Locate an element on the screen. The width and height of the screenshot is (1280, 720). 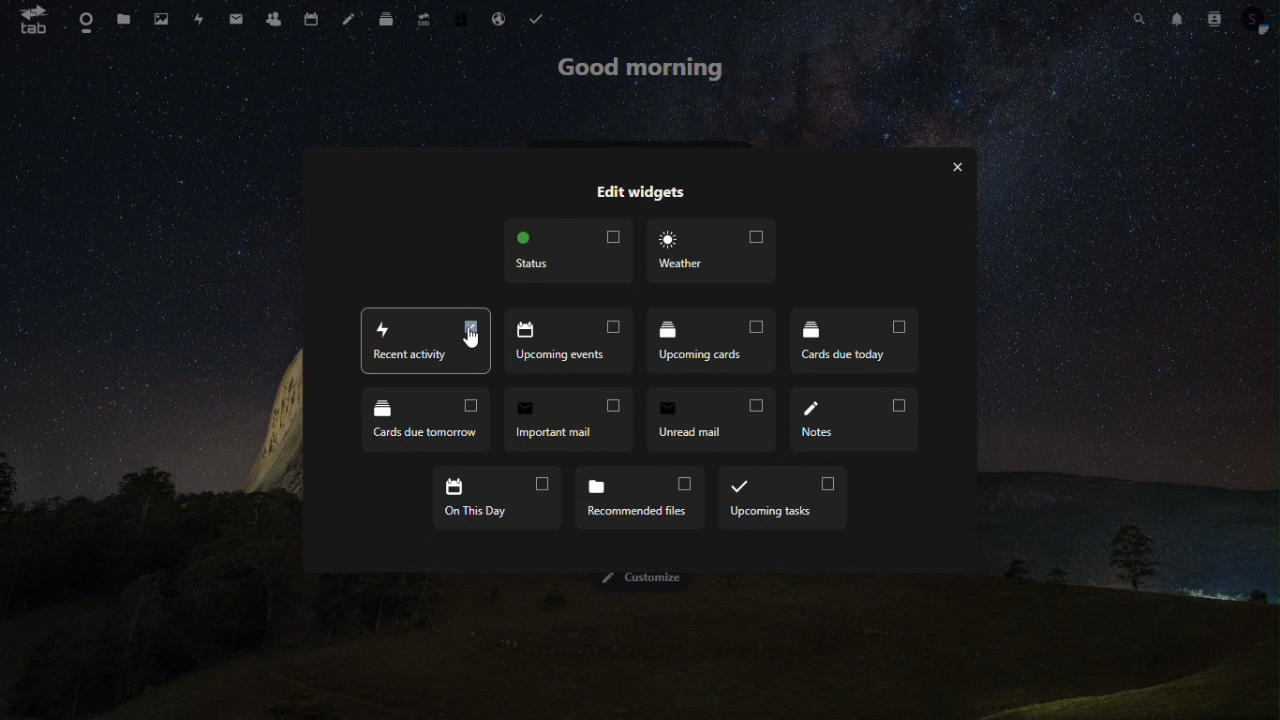
tab is located at coordinates (30, 20).